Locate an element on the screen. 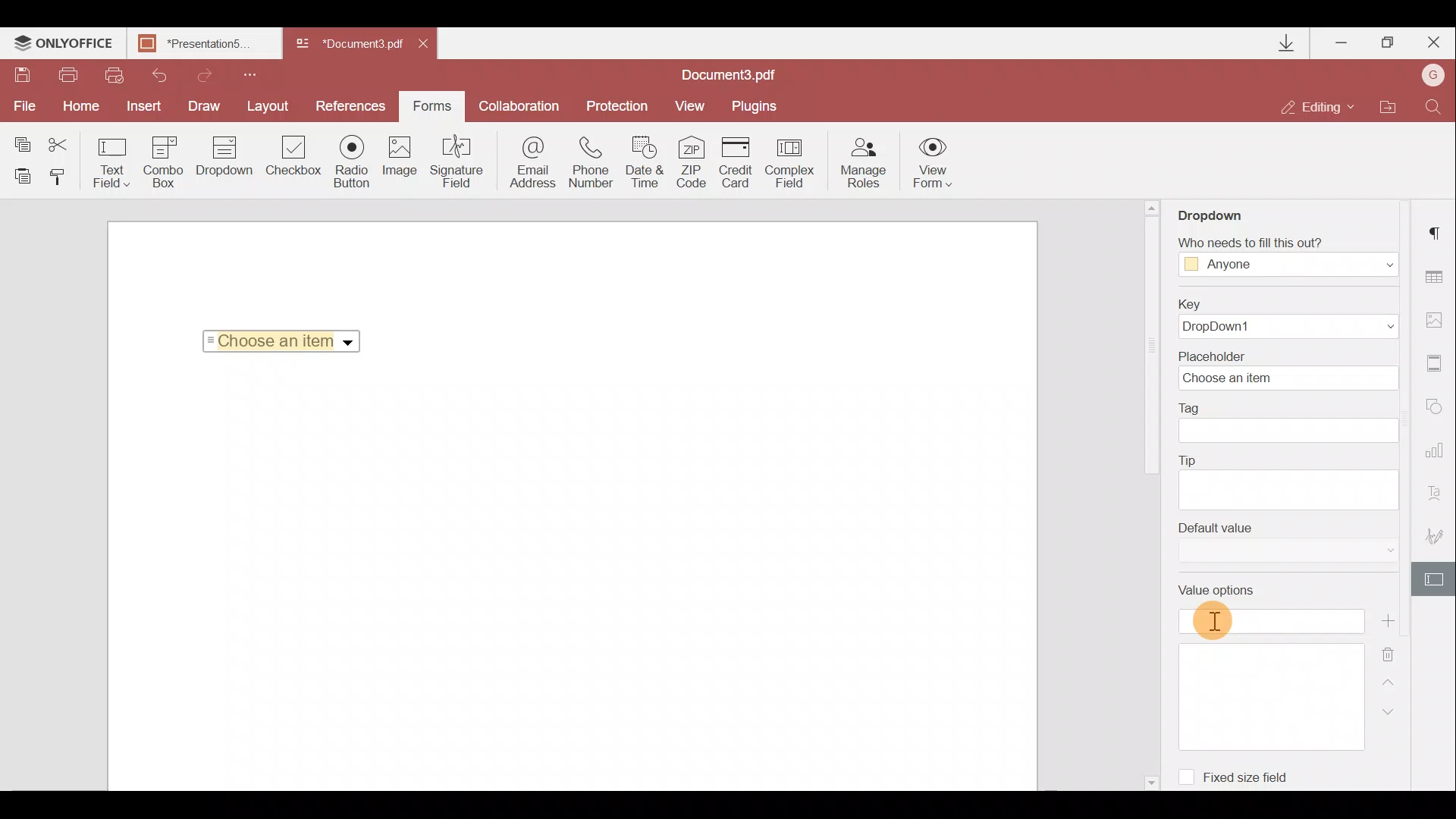 The image size is (1456, 819). Quick print is located at coordinates (112, 74).